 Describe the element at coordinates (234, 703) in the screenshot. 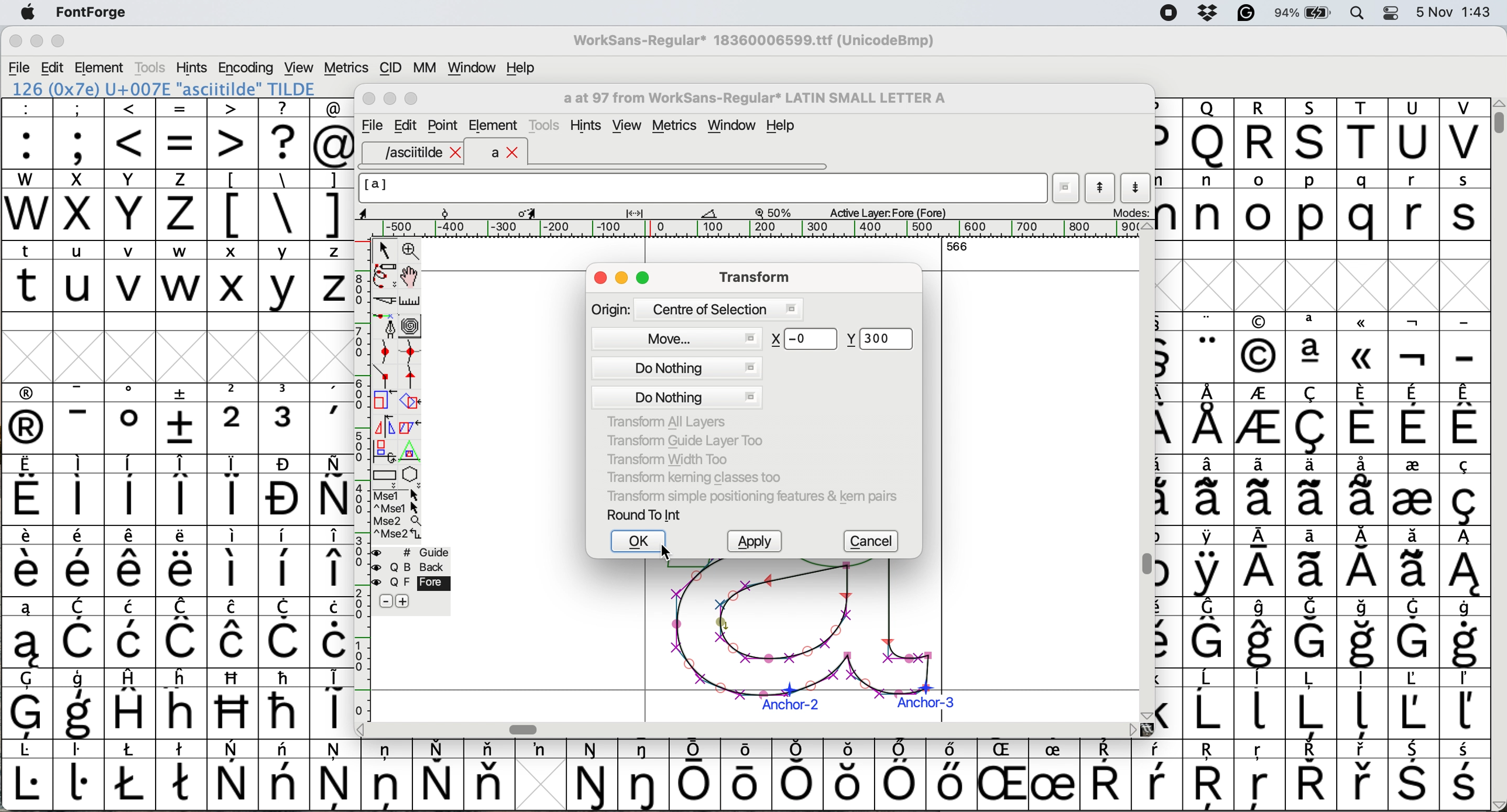

I see `` at that location.